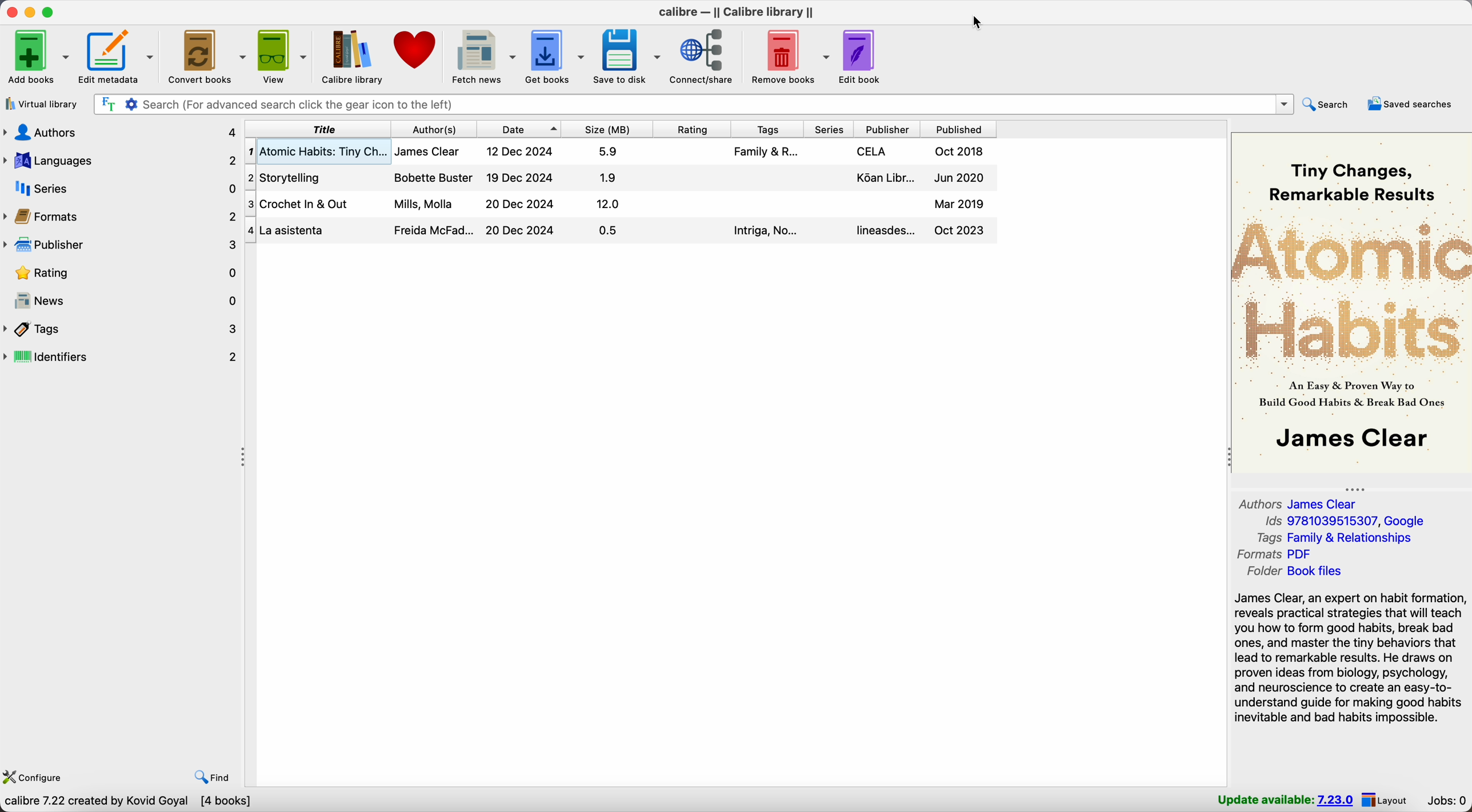 The width and height of the screenshot is (1472, 812). Describe the element at coordinates (622, 152) in the screenshot. I see `Atomic Habitis: Tiny Changes... book` at that location.